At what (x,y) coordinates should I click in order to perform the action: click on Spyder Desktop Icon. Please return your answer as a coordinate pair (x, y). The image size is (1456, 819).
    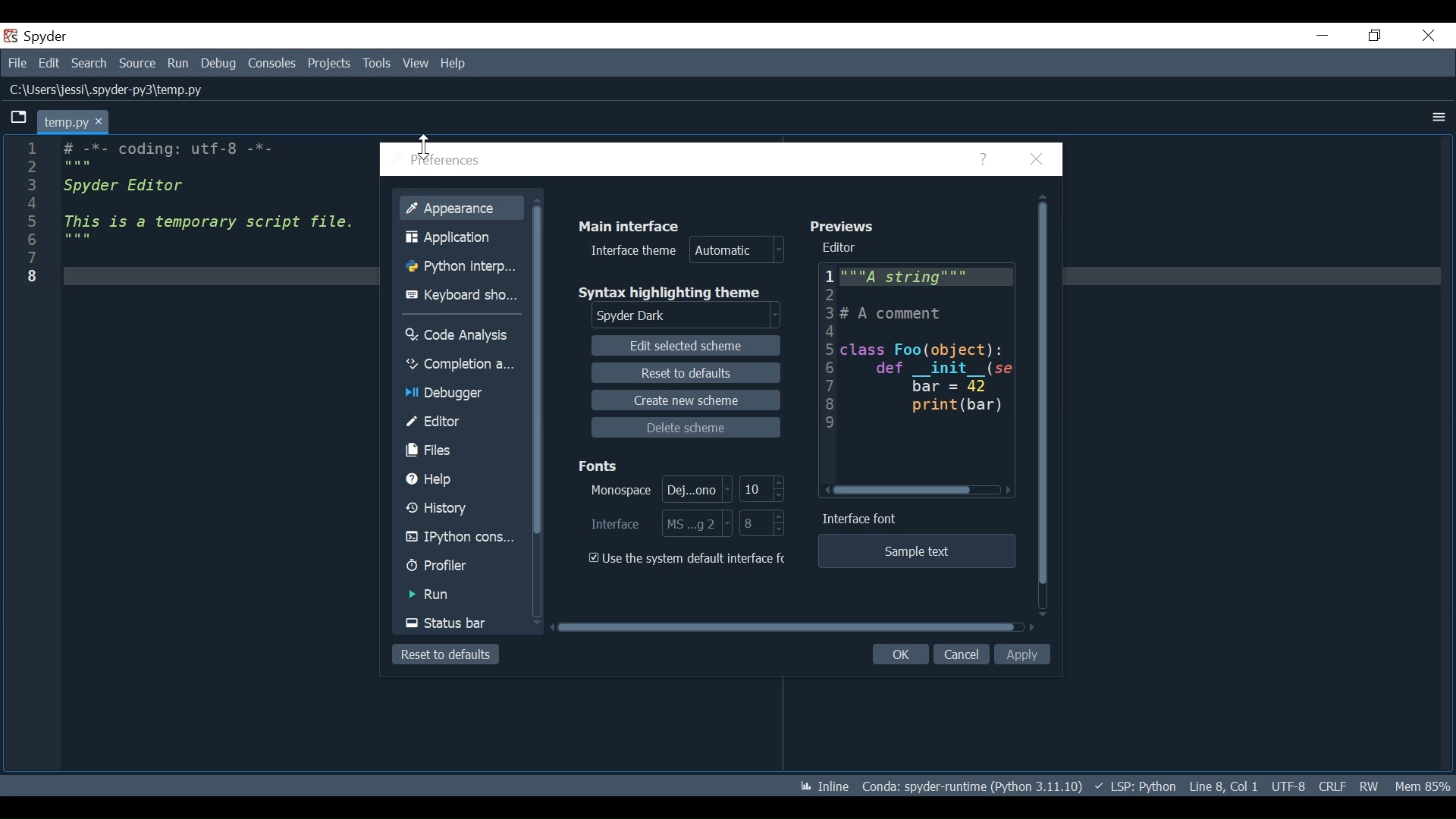
    Looking at the image, I should click on (37, 36).